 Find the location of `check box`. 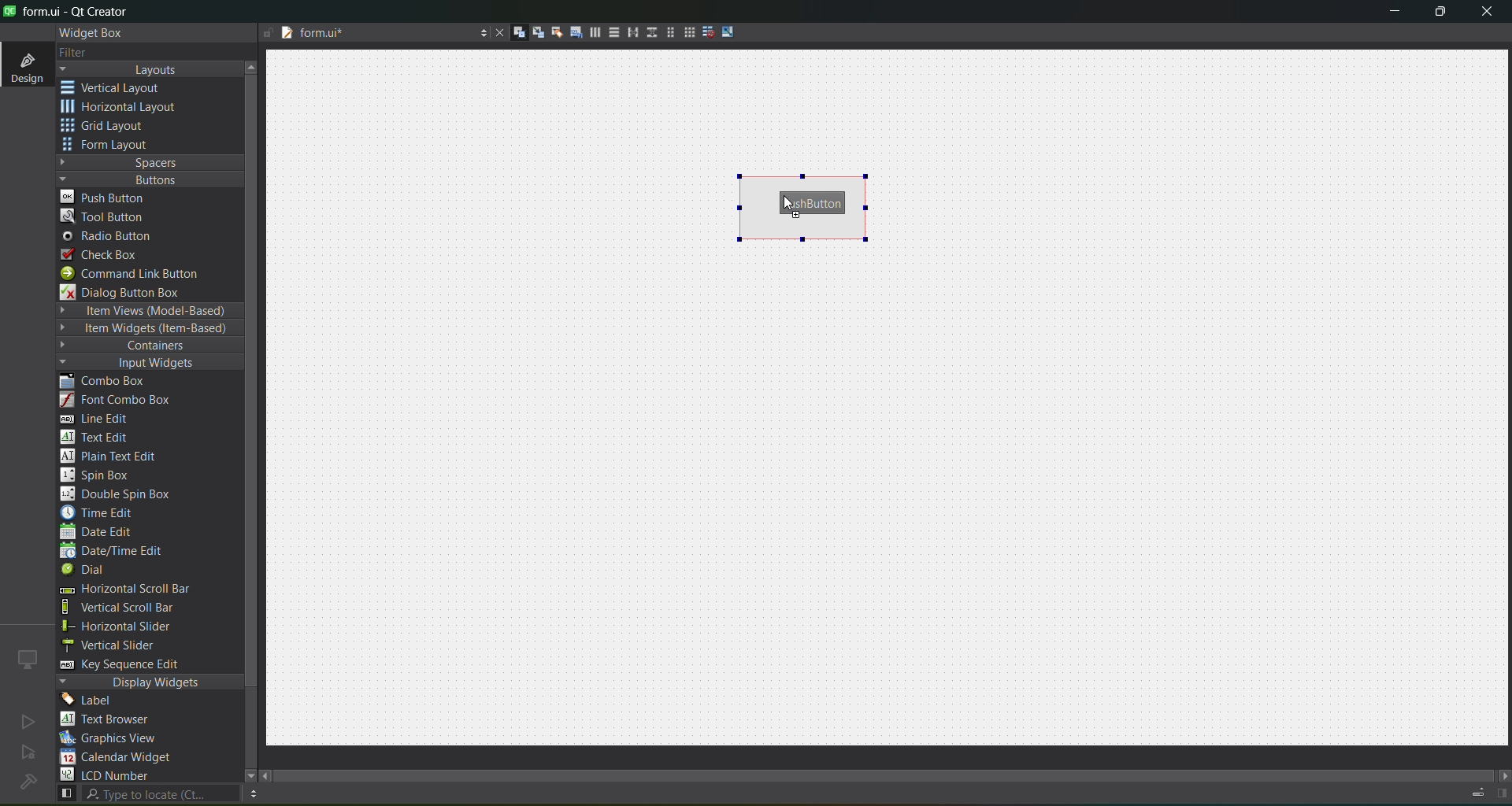

check box is located at coordinates (107, 255).